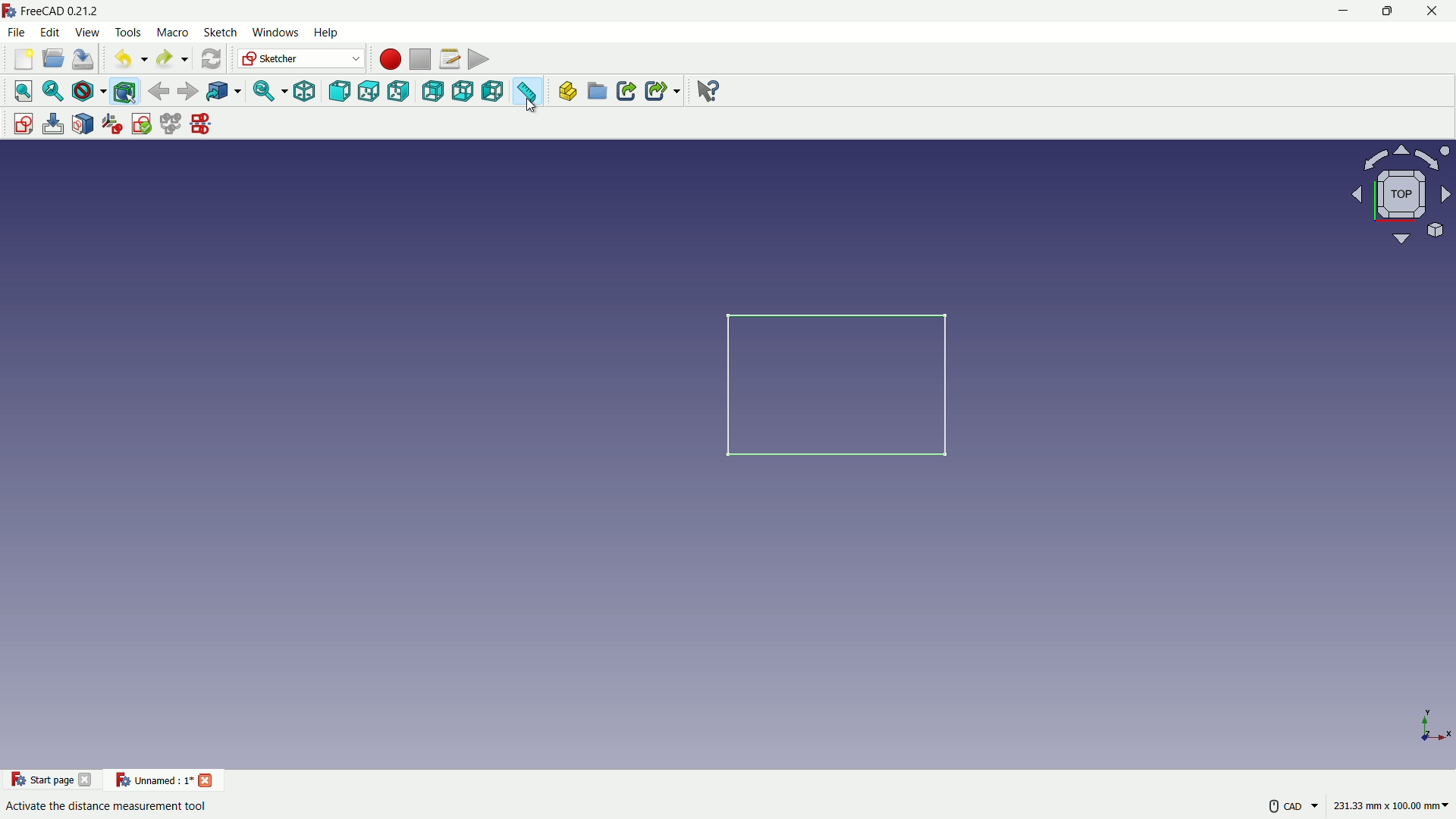 The image size is (1456, 819). What do you see at coordinates (42, 780) in the screenshot?
I see `start page` at bounding box center [42, 780].